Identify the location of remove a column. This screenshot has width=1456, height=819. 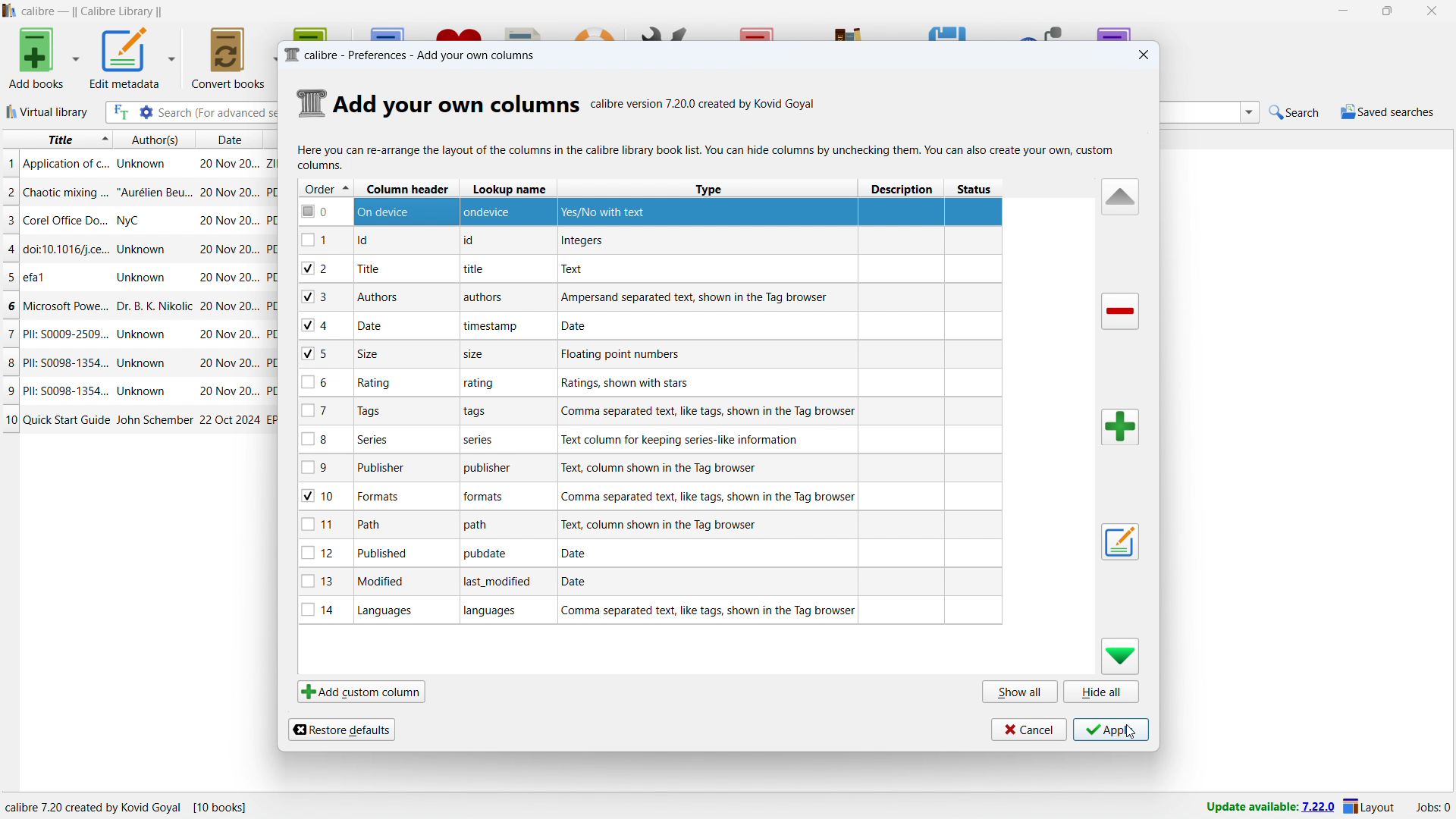
(1119, 312).